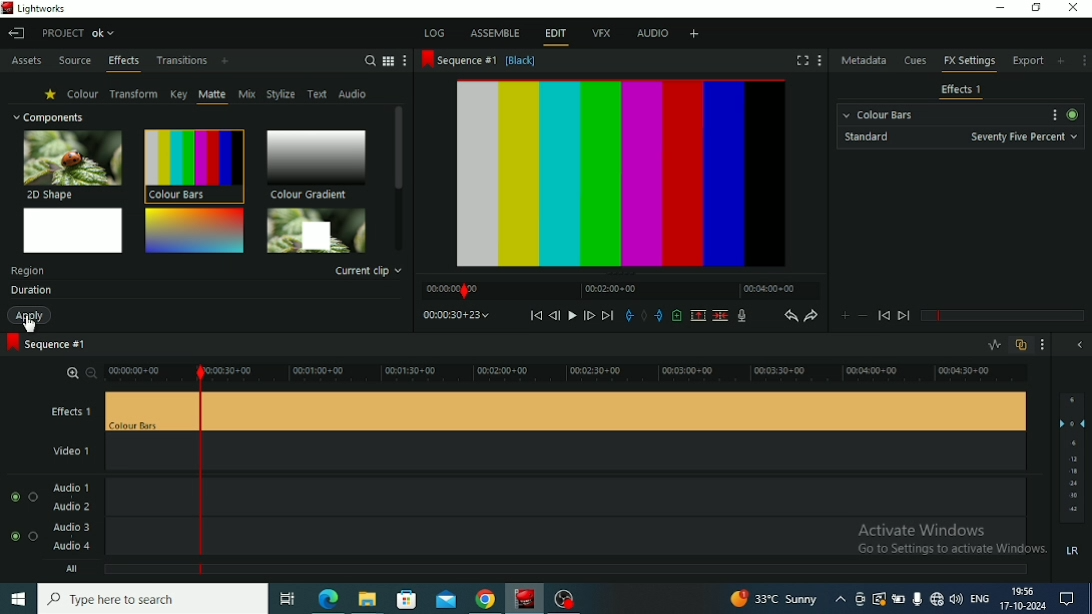 Image resolution: width=1092 pixels, height=614 pixels. What do you see at coordinates (626, 496) in the screenshot?
I see `Audio 1  and 2` at bounding box center [626, 496].